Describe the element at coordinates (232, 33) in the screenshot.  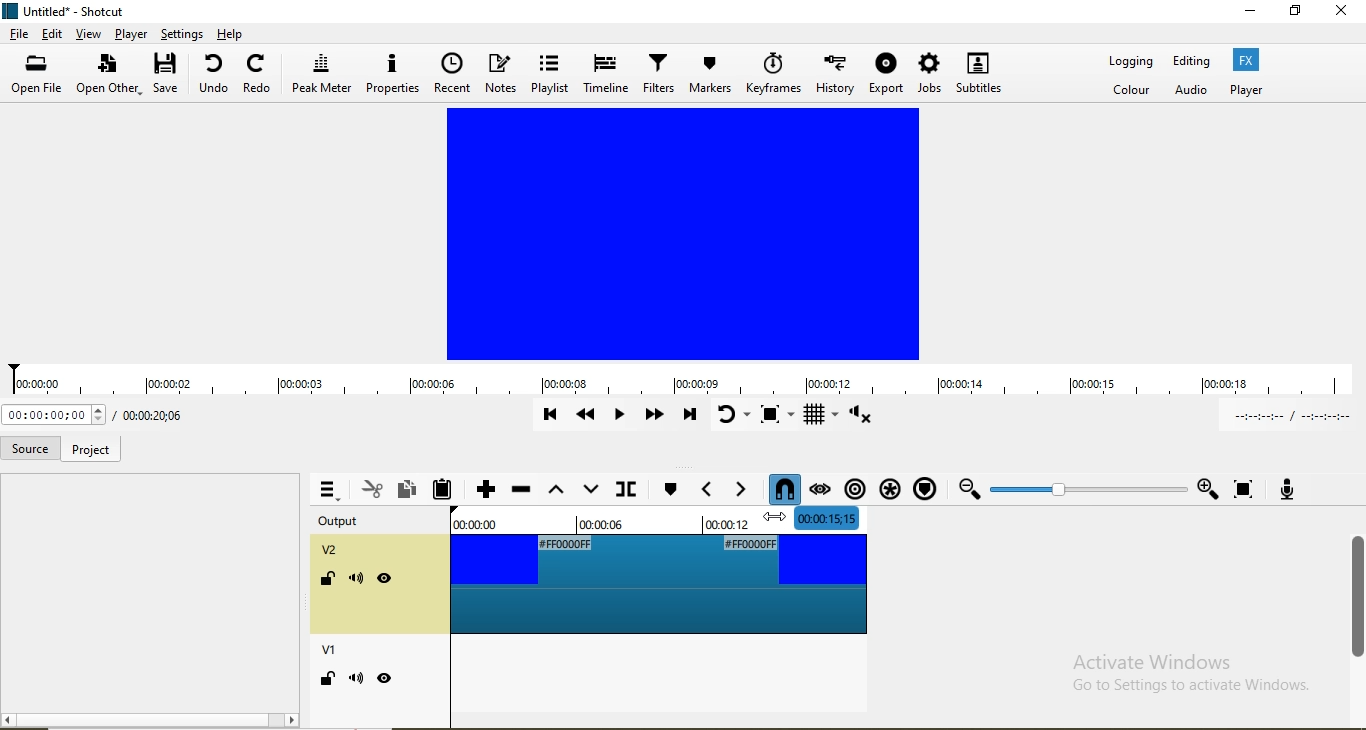
I see `help` at that location.